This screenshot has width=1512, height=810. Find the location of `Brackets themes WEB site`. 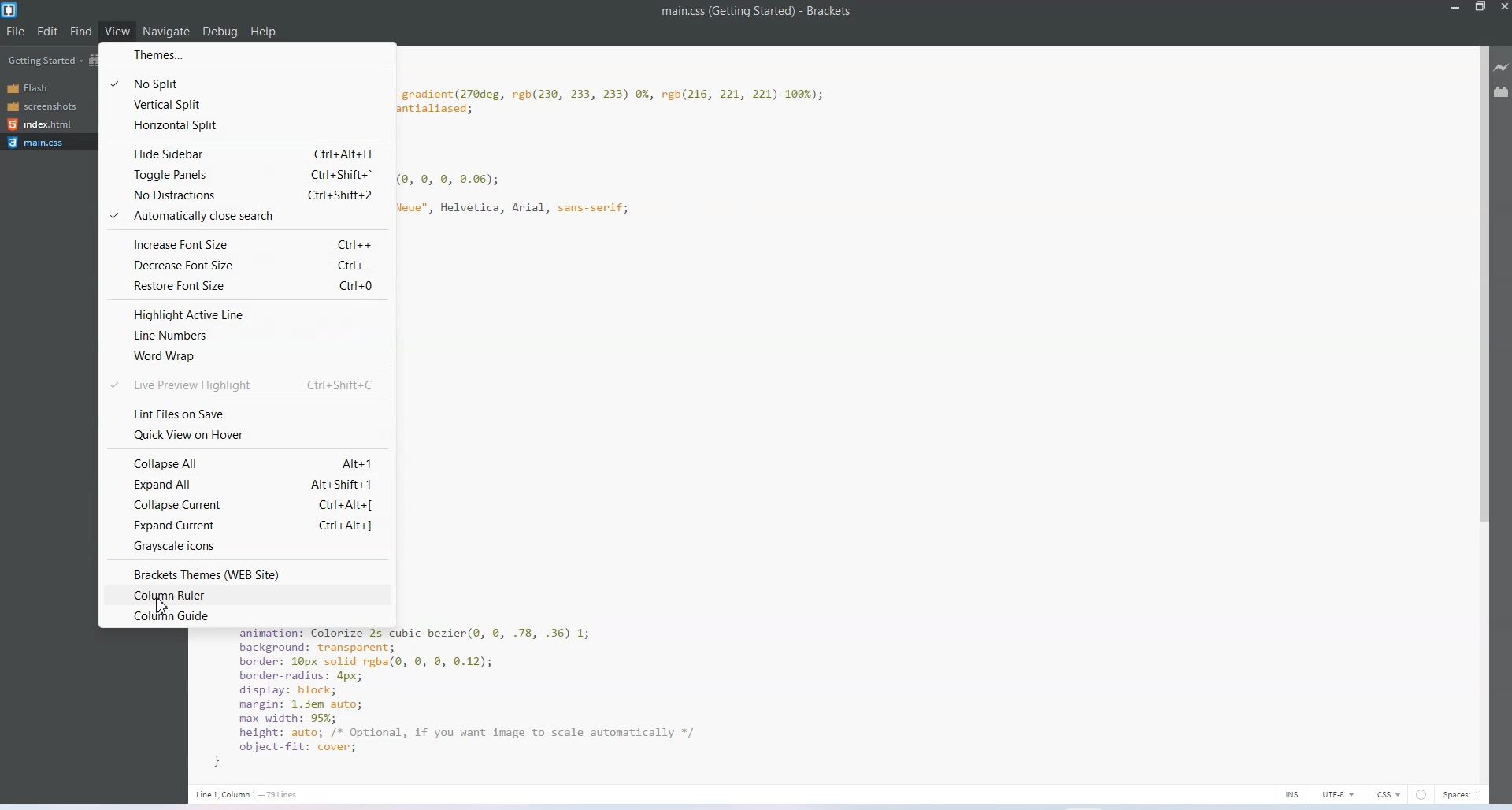

Brackets themes WEB site is located at coordinates (247, 573).